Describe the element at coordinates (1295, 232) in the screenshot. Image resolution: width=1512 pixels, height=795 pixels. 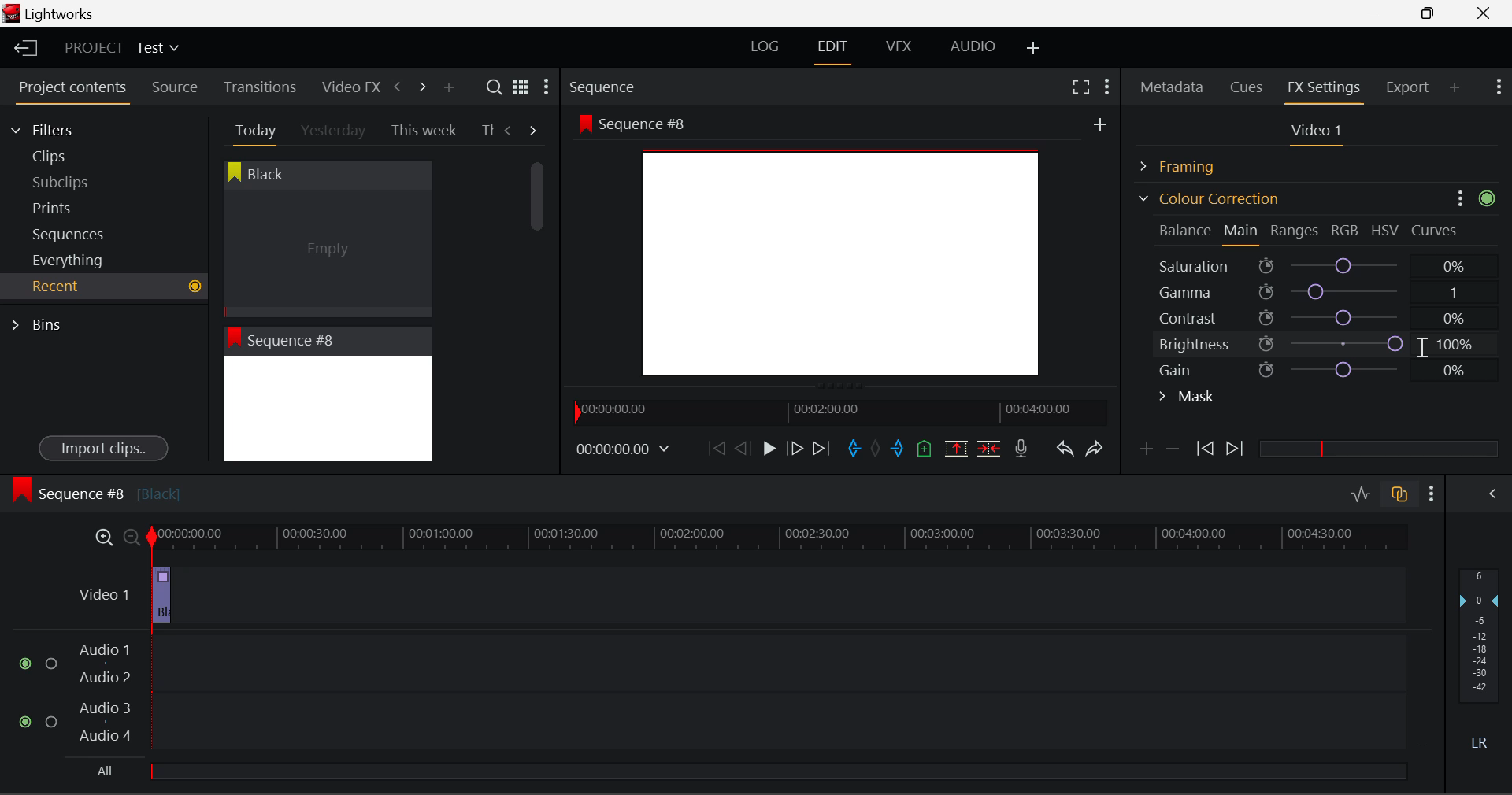
I see `Ranges` at that location.